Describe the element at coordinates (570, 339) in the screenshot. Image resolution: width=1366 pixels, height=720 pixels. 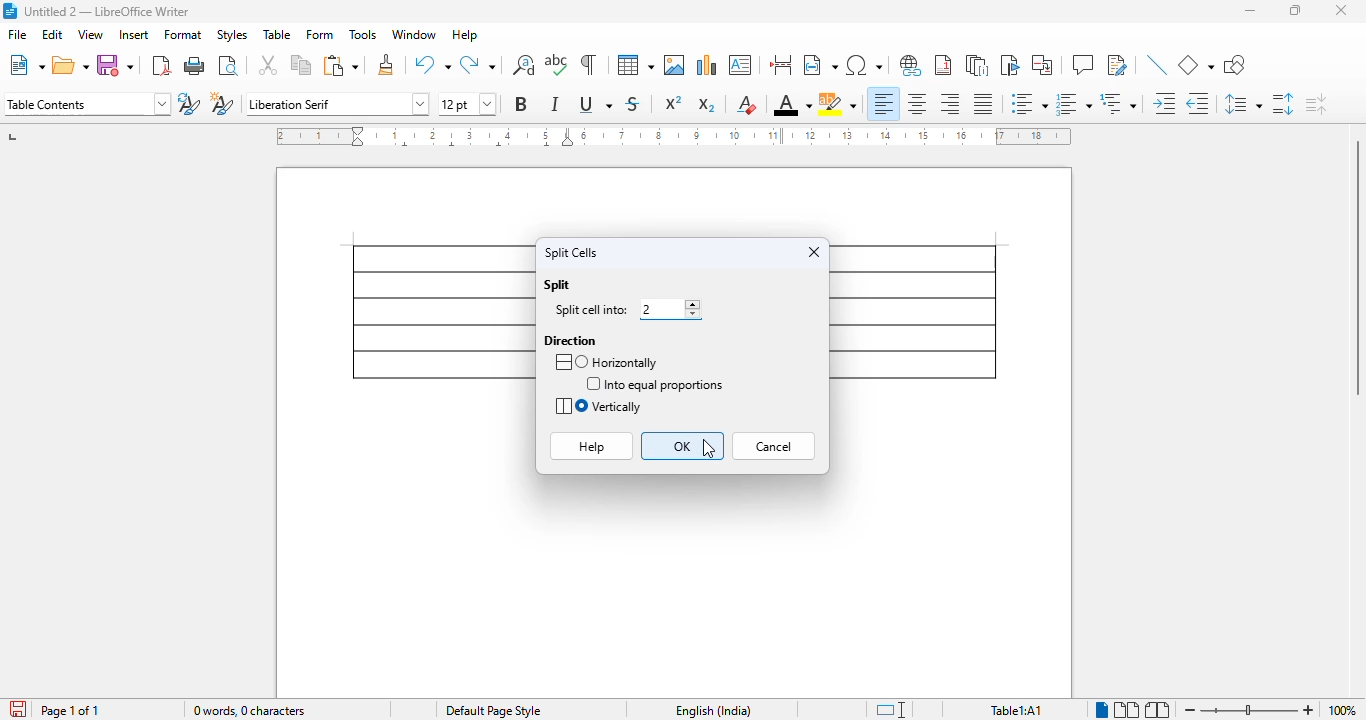
I see `direction` at that location.